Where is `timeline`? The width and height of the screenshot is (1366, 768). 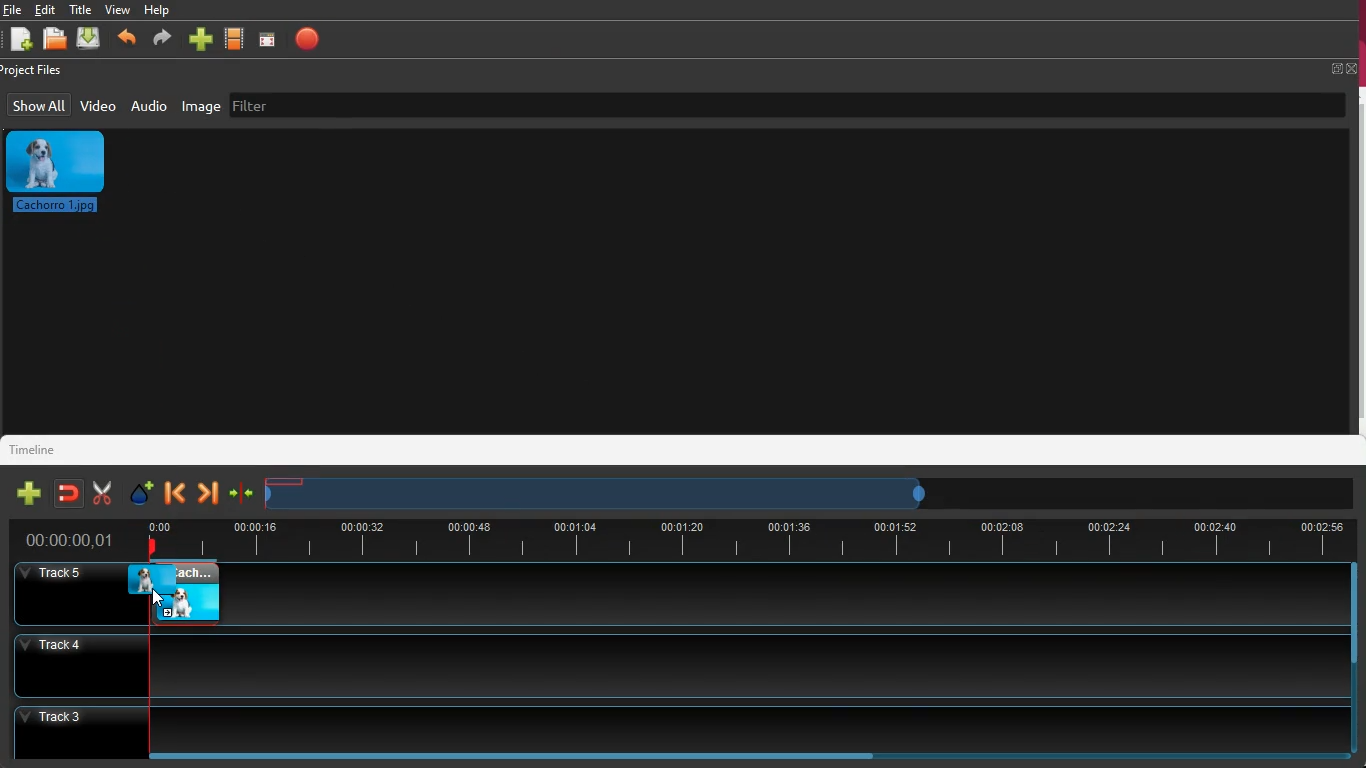 timeline is located at coordinates (36, 449).